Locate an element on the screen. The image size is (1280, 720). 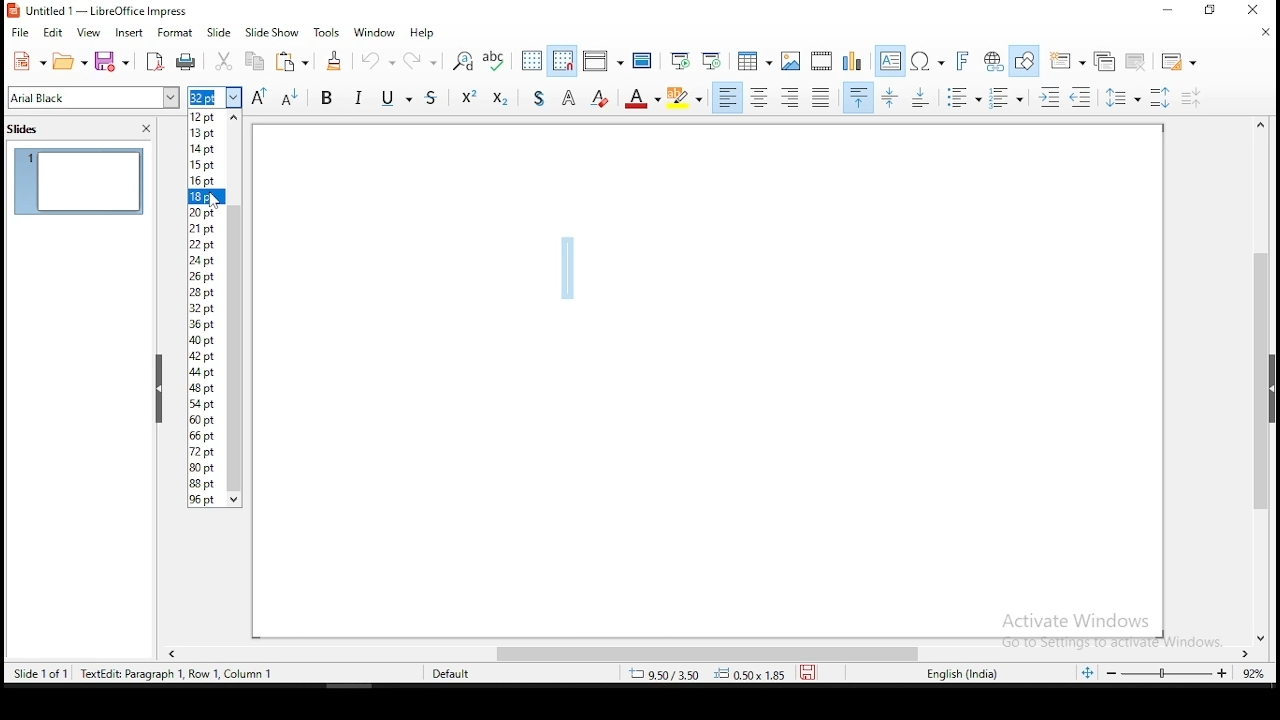
copy is located at coordinates (253, 61).